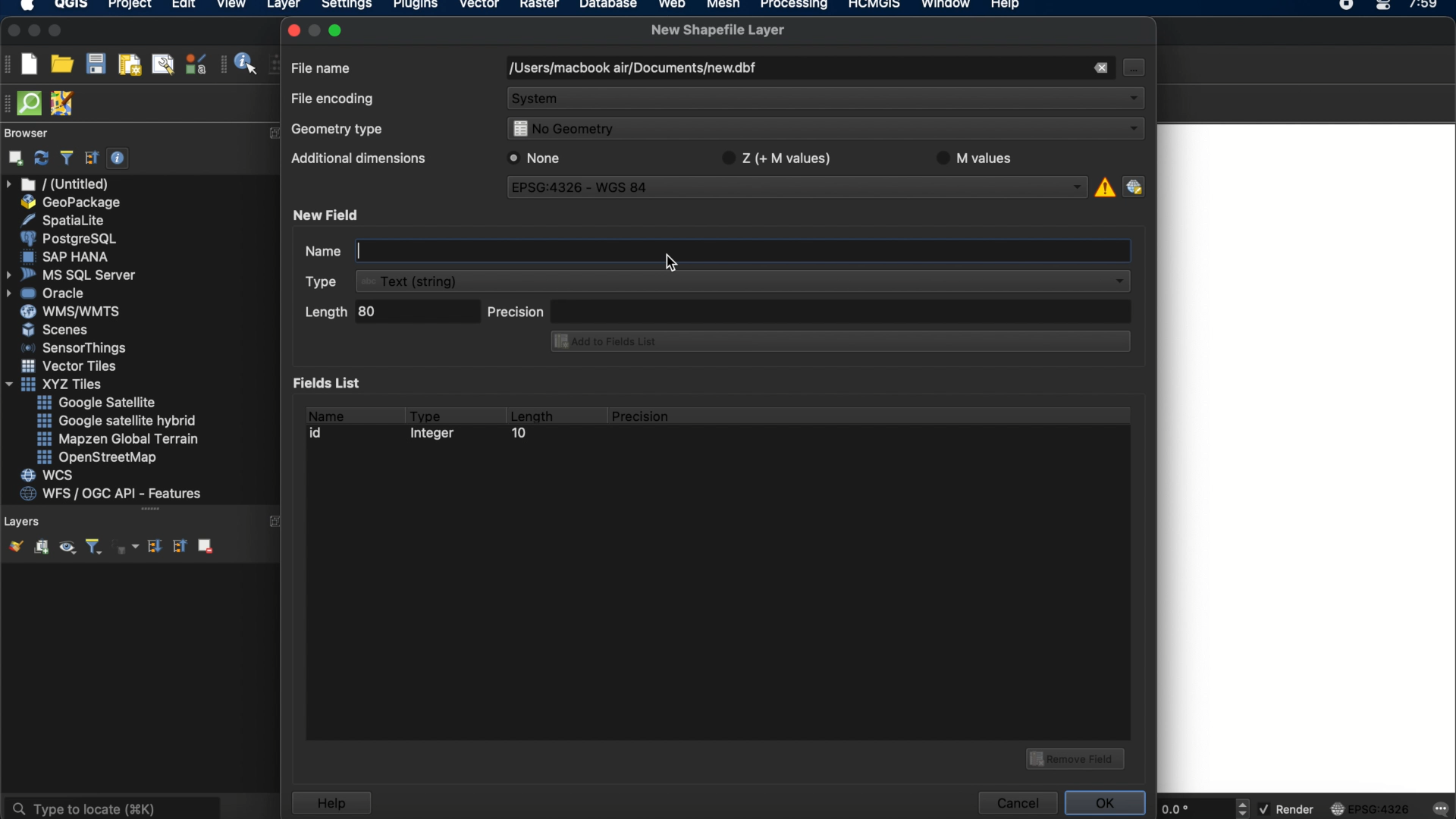 The height and width of the screenshot is (819, 1456). Describe the element at coordinates (1192, 808) in the screenshot. I see `degree` at that location.